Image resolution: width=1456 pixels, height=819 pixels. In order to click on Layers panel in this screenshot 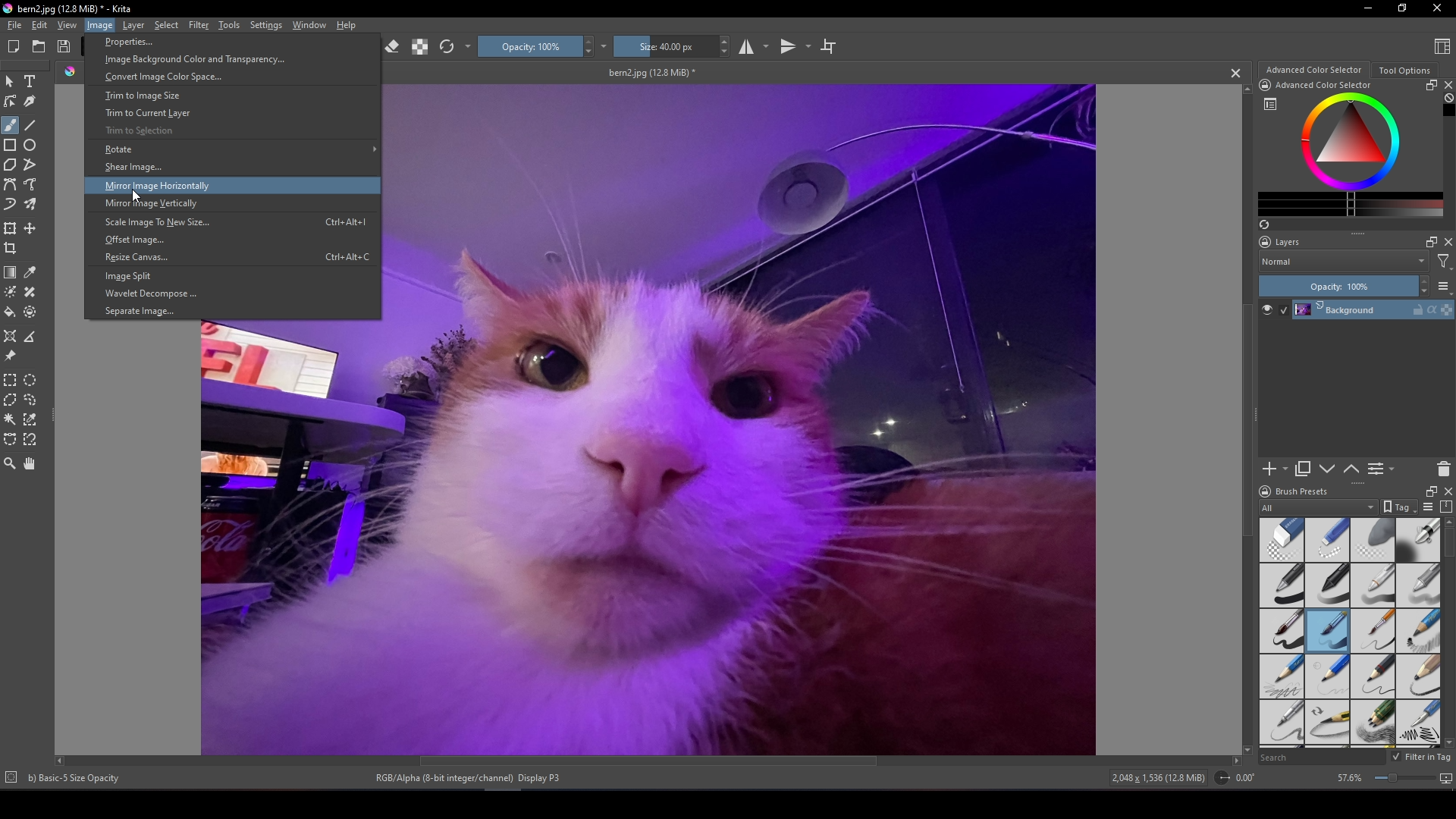, I will do `click(1360, 388)`.